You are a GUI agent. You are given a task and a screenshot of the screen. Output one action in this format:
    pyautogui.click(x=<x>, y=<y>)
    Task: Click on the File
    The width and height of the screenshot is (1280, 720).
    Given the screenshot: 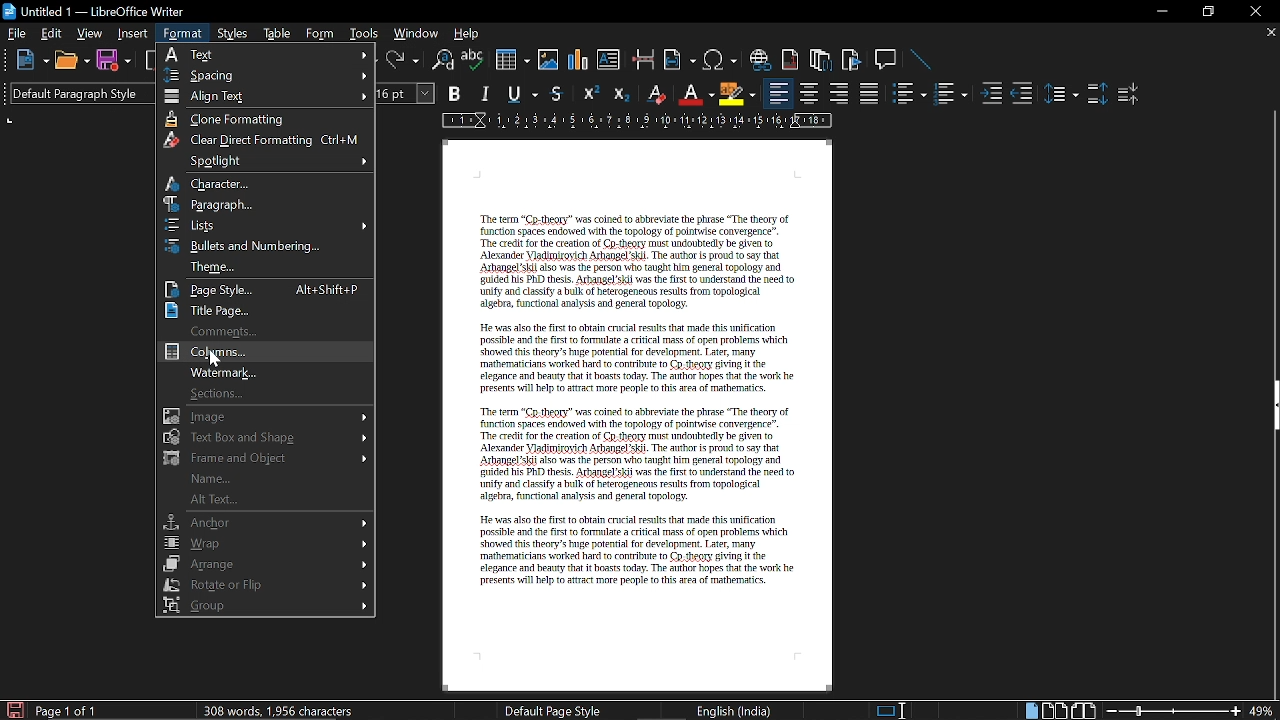 What is the action you would take?
    pyautogui.click(x=17, y=33)
    